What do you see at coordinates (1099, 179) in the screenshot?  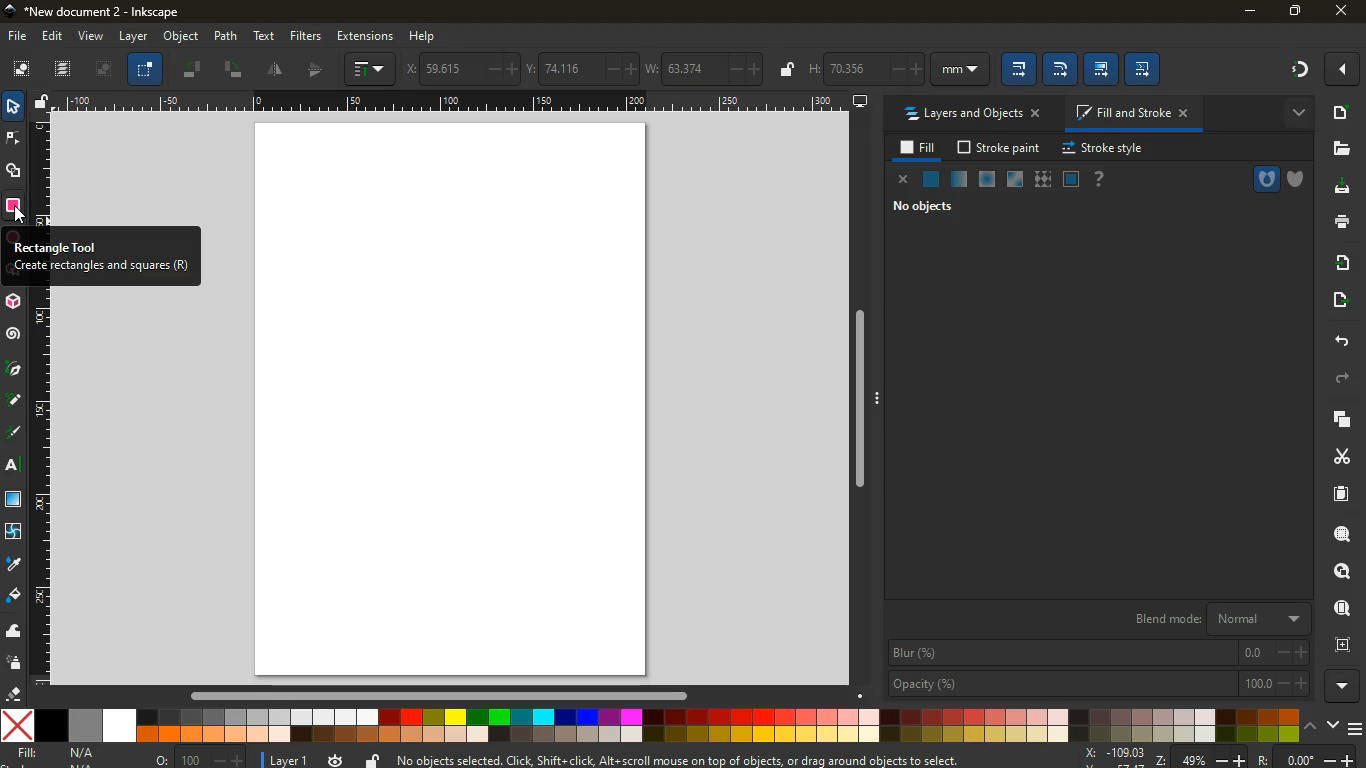 I see `help` at bounding box center [1099, 179].